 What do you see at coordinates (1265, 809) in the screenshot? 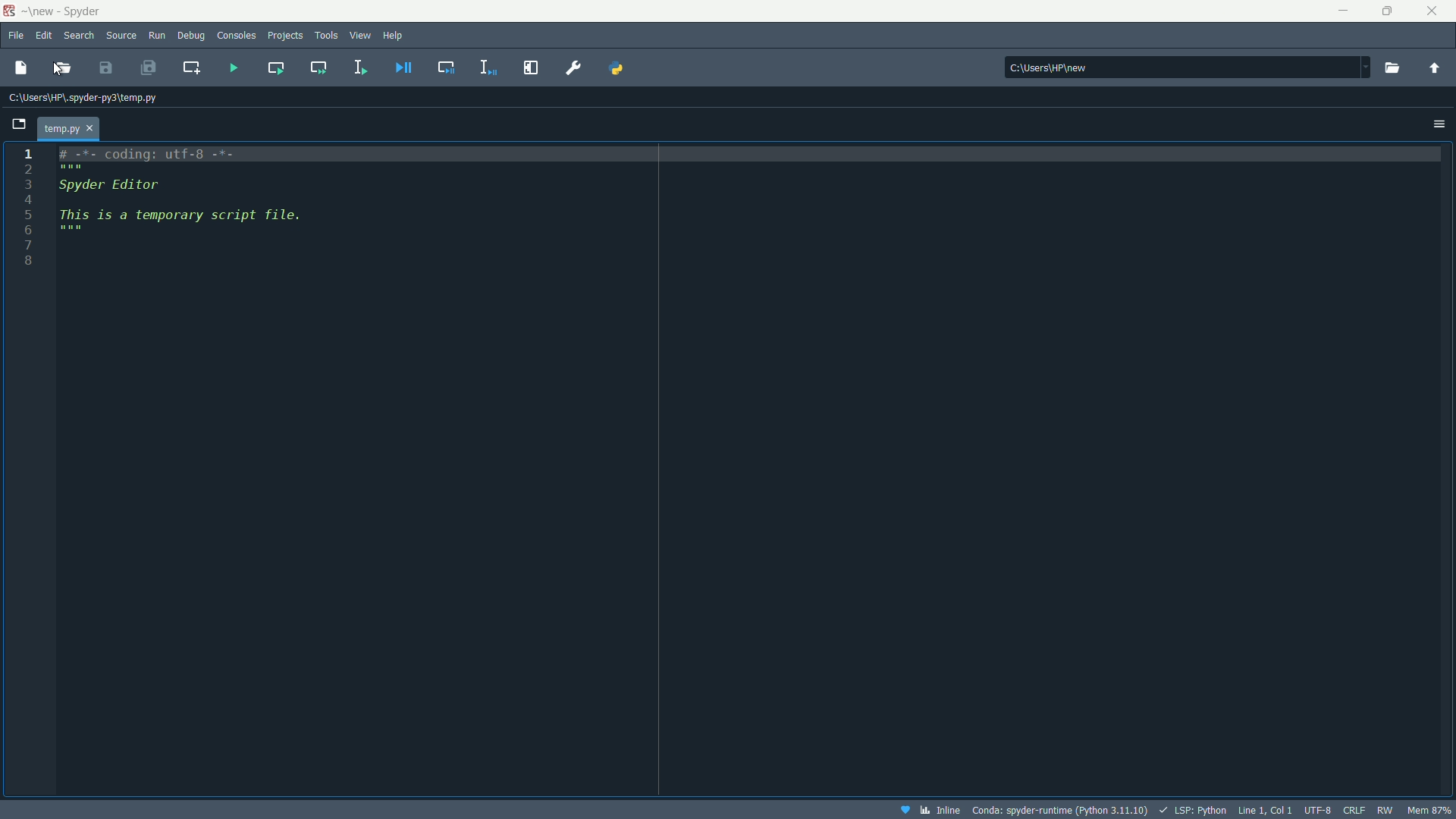
I see `cursor position` at bounding box center [1265, 809].